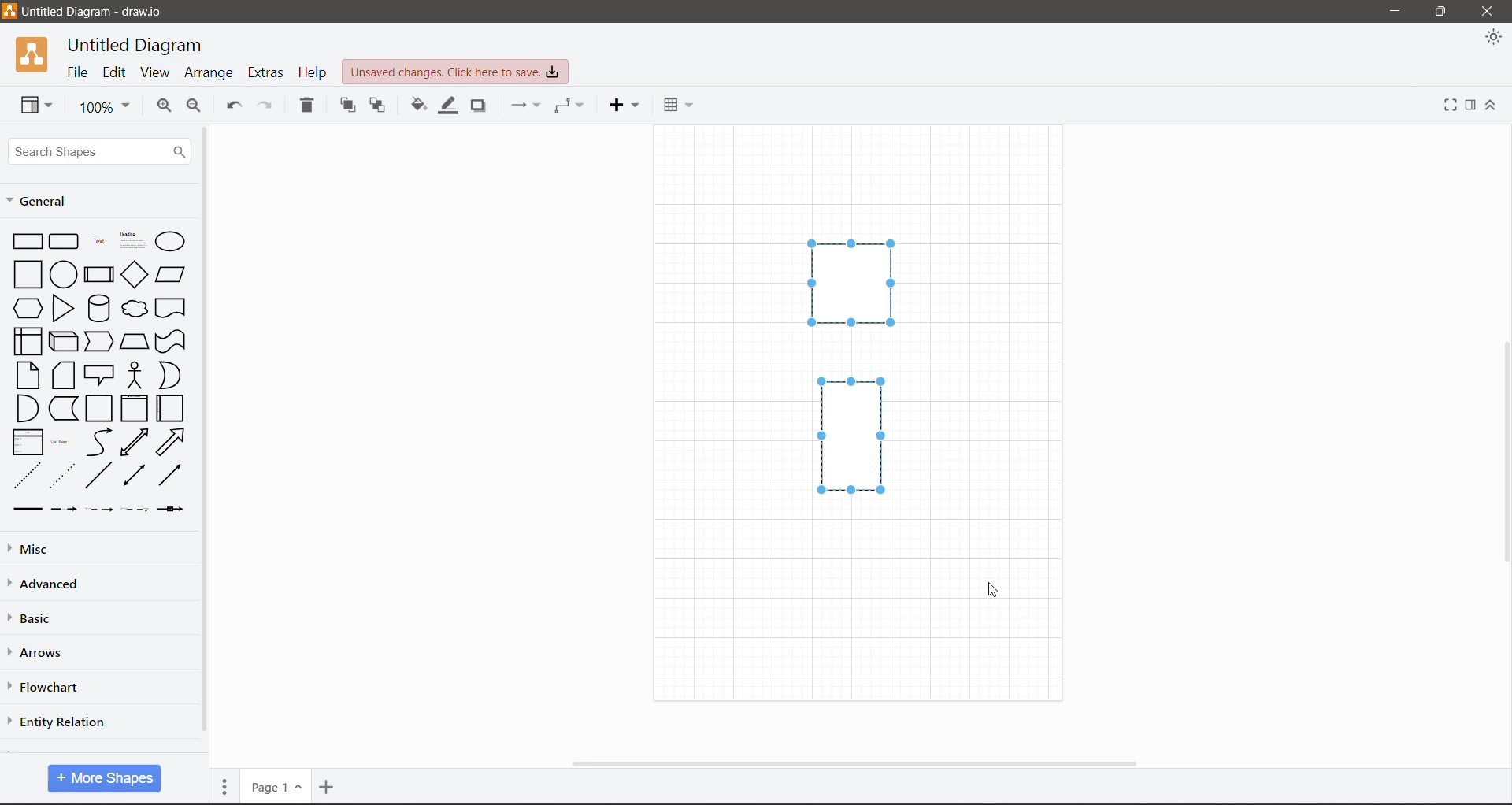 The image size is (1512, 805). Describe the element at coordinates (1503, 453) in the screenshot. I see `Vertical Scroll Bar` at that location.